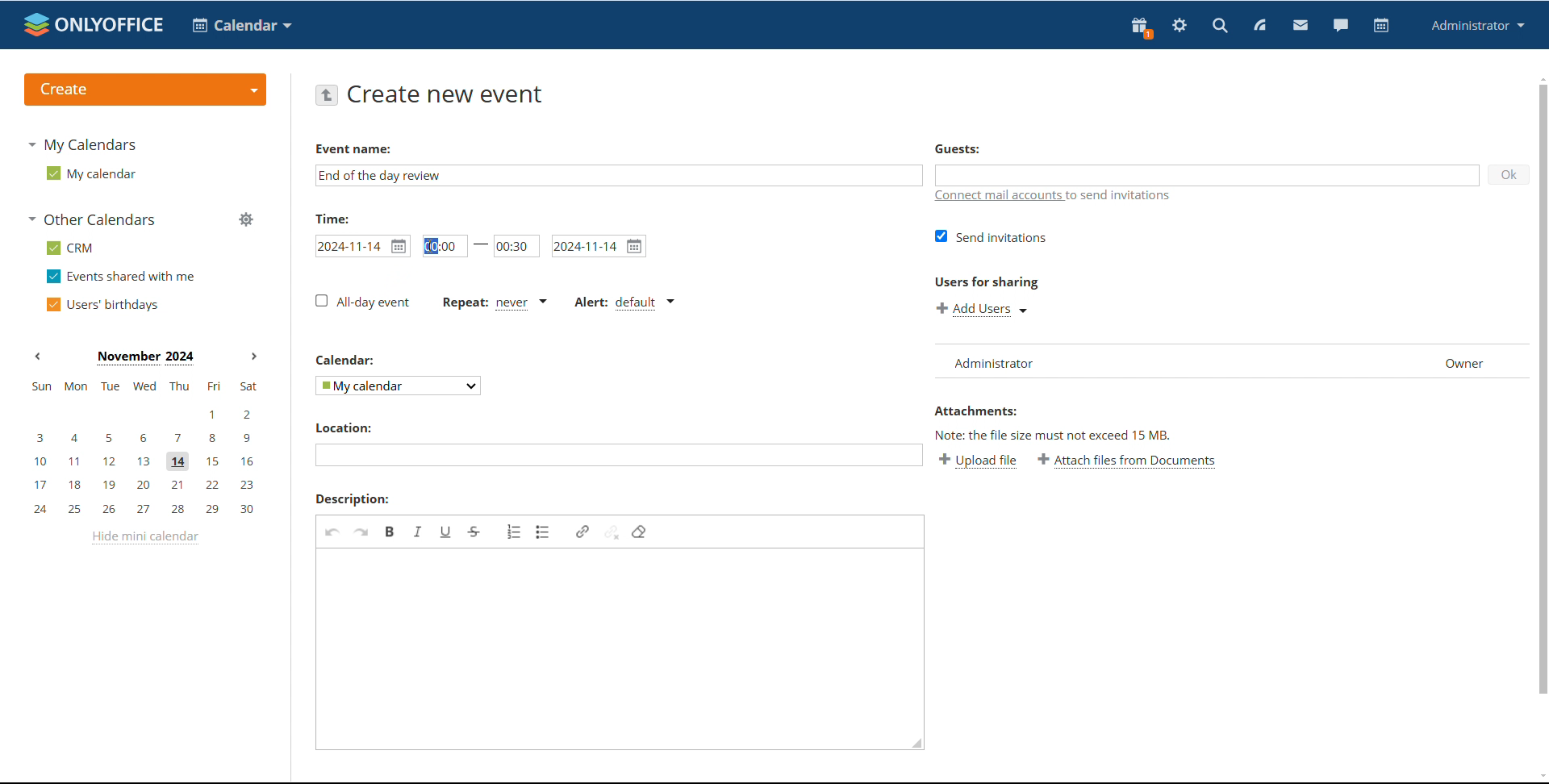  What do you see at coordinates (254, 357) in the screenshot?
I see `next month` at bounding box center [254, 357].